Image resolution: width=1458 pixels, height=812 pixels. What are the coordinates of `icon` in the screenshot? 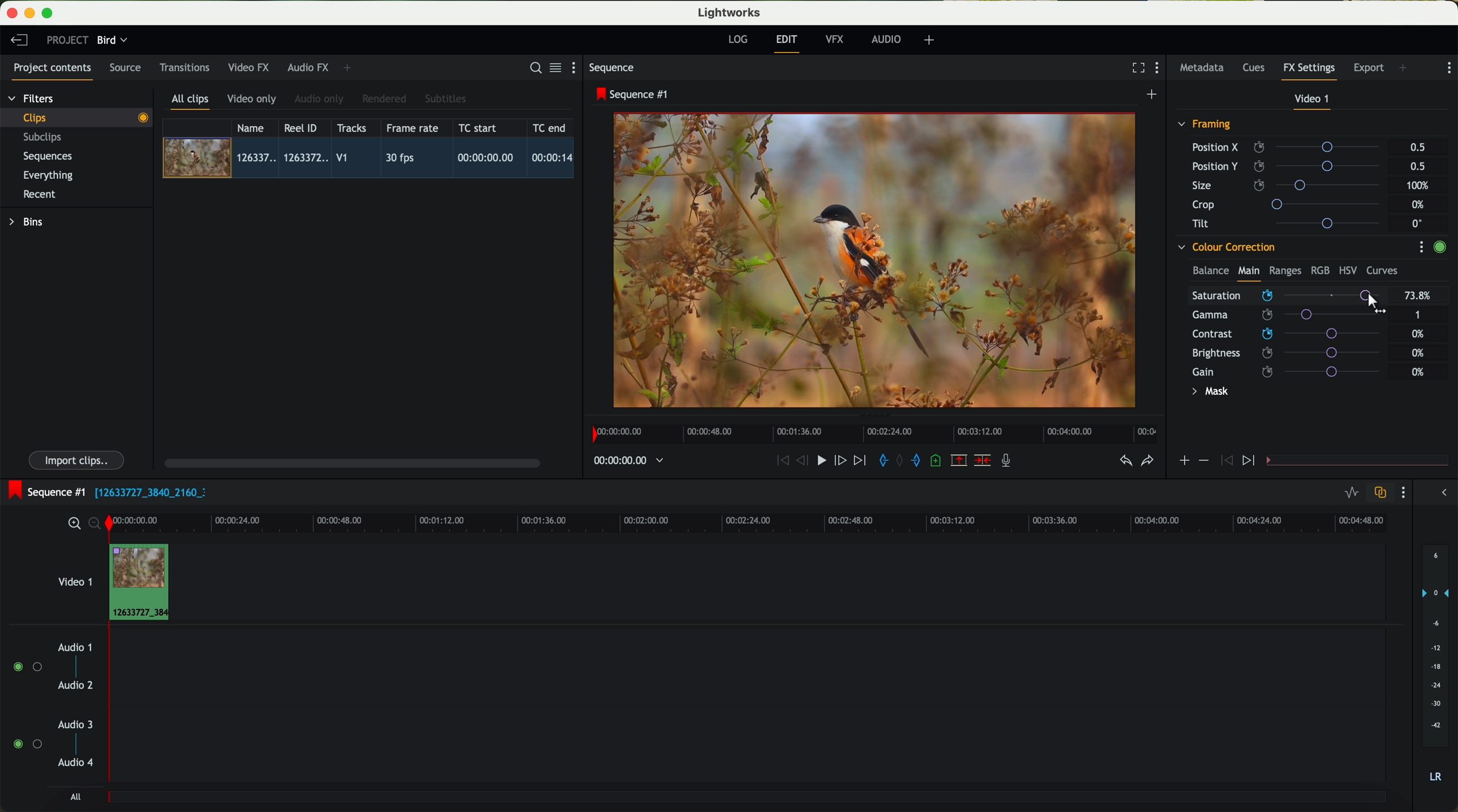 It's located at (1203, 461).